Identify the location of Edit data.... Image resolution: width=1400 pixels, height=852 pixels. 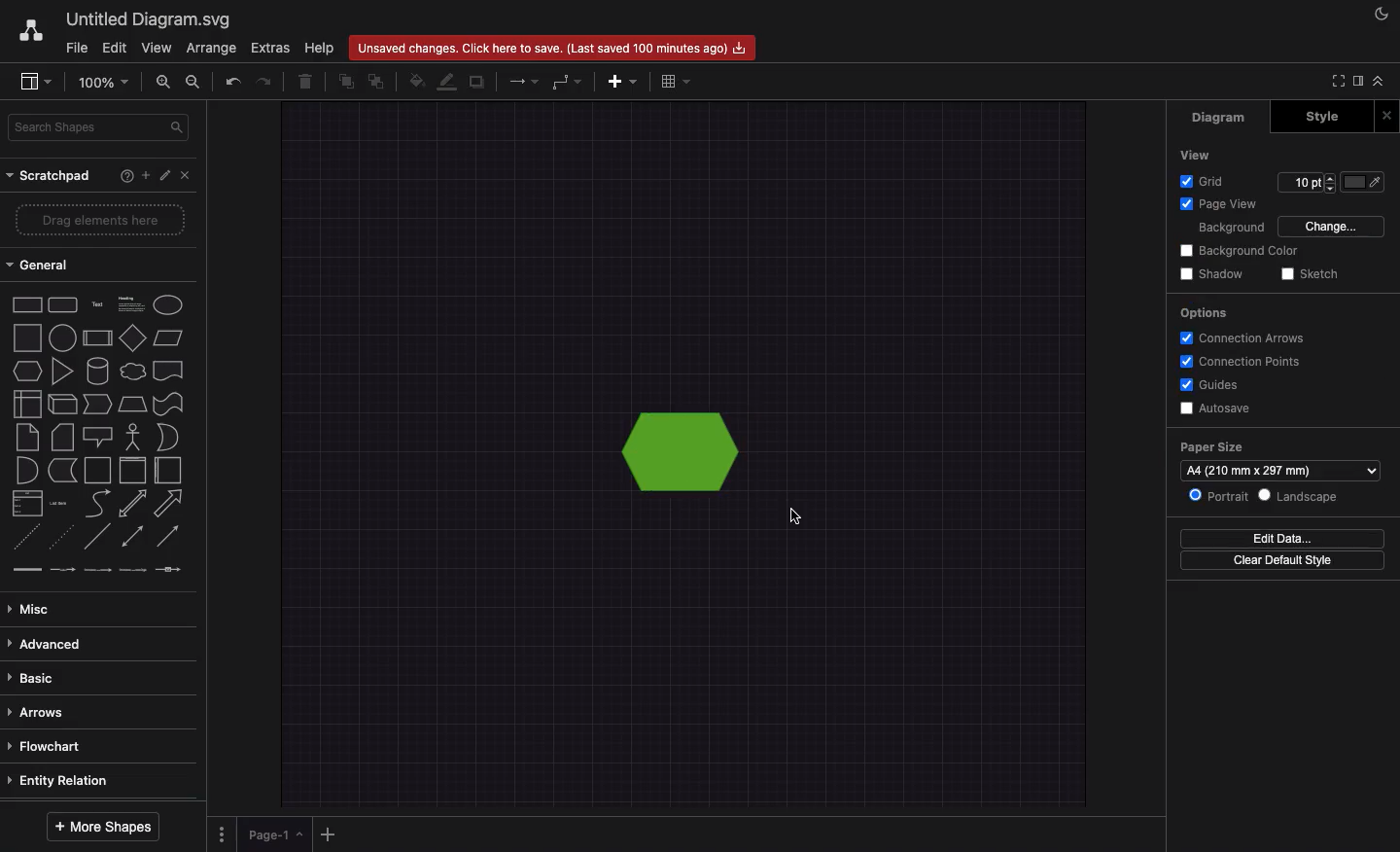
(1282, 536).